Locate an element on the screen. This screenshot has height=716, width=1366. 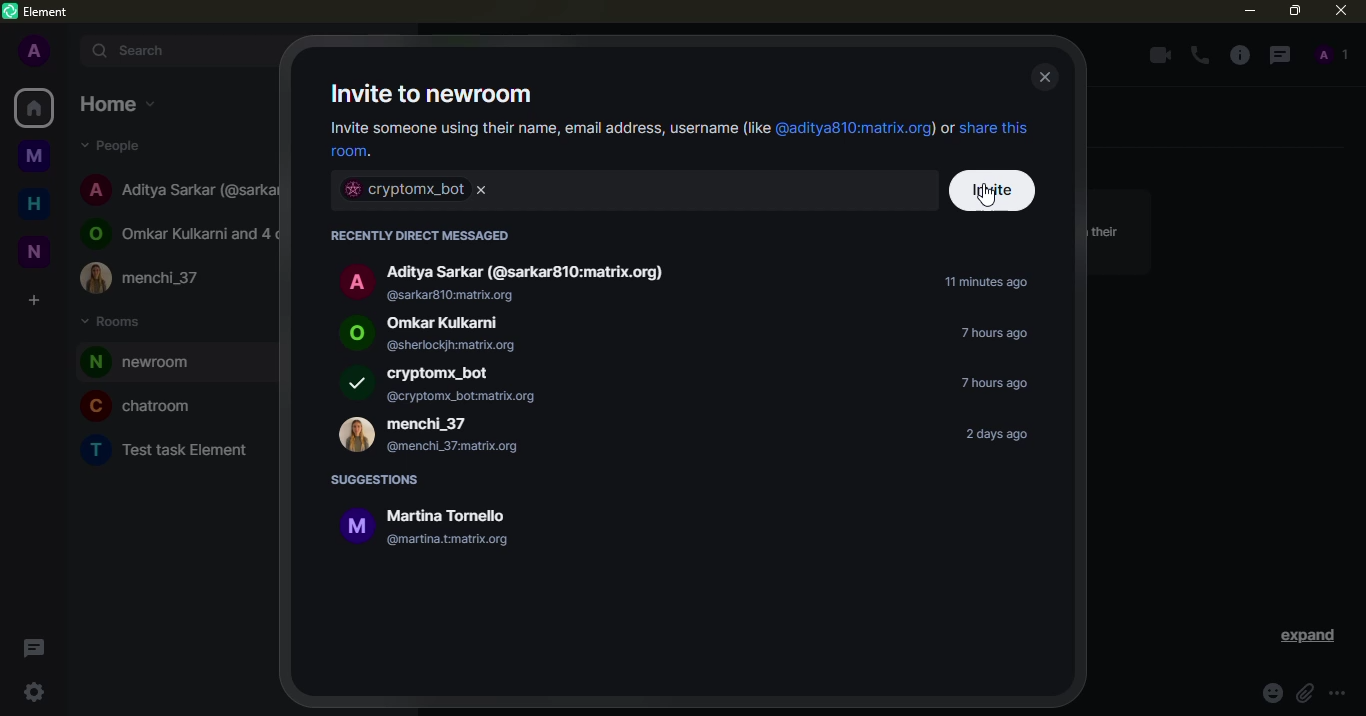
new is located at coordinates (35, 251).